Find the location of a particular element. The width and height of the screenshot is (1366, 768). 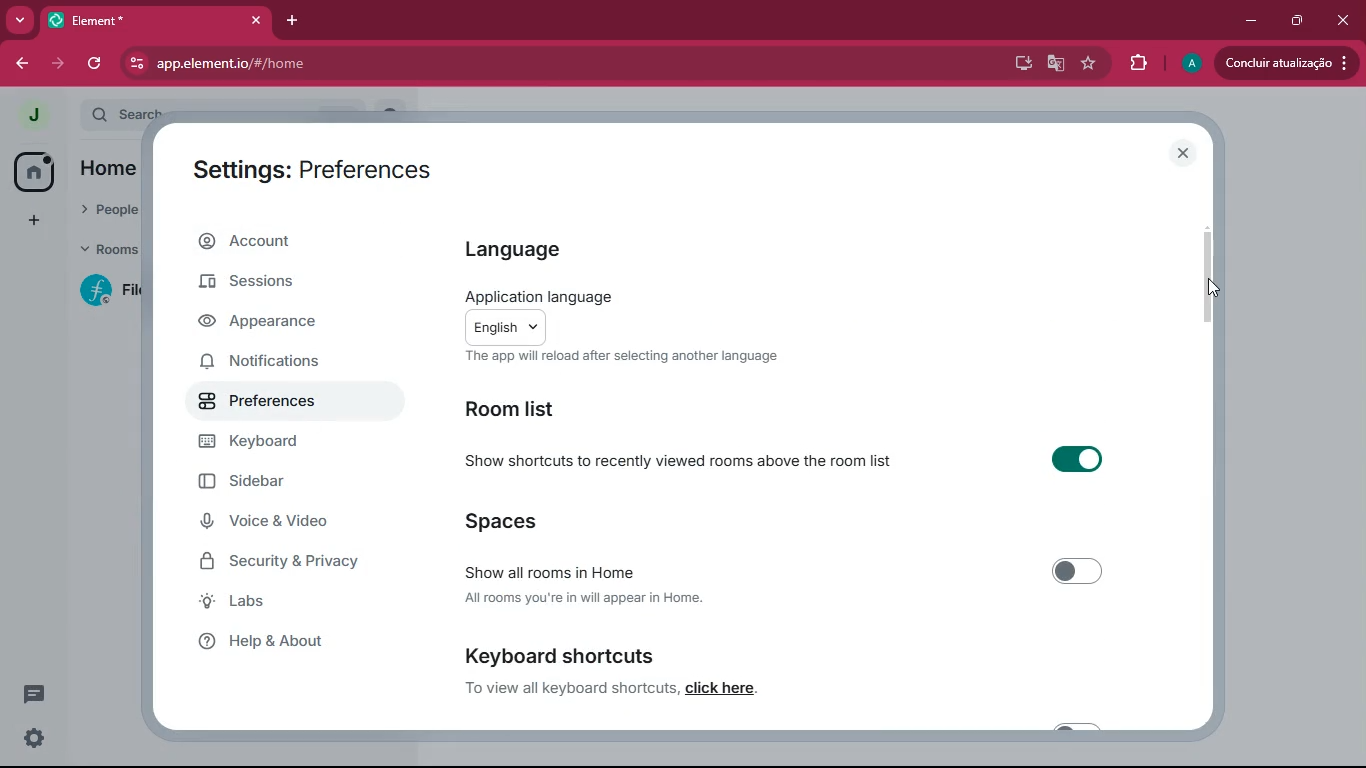

comments is located at coordinates (34, 694).